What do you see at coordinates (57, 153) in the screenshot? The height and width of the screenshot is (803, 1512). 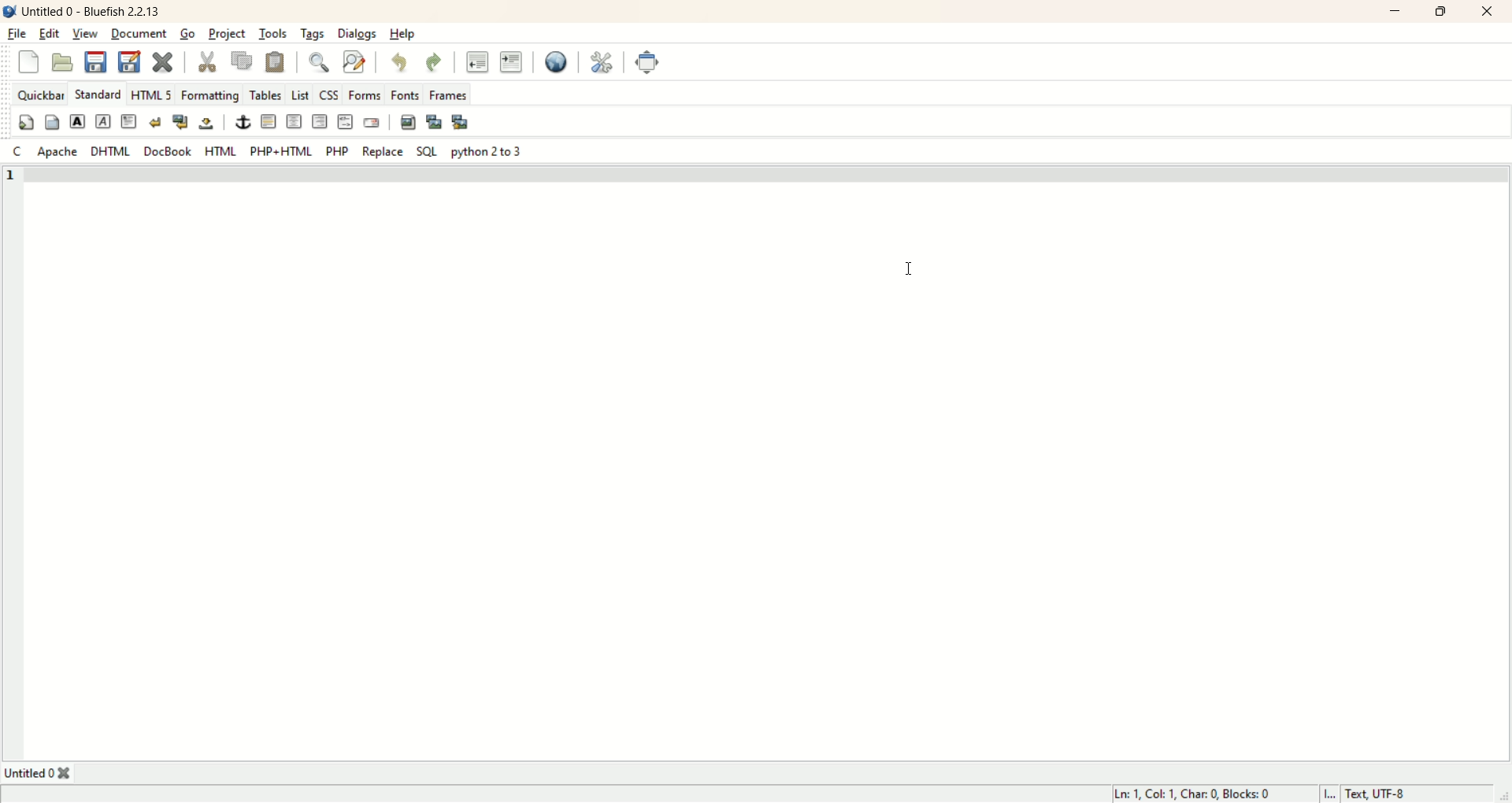 I see `Apache` at bounding box center [57, 153].